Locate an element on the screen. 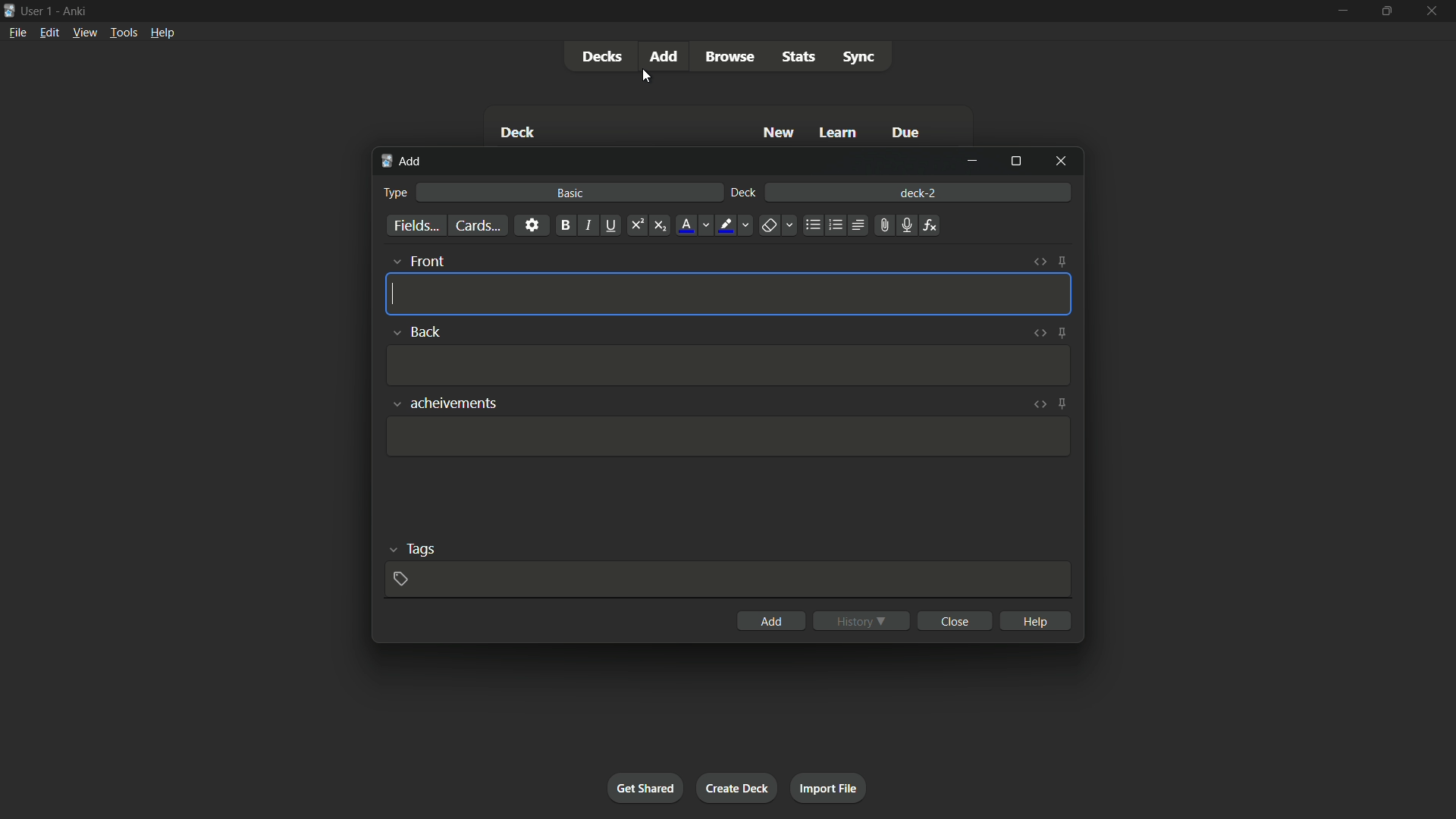 Image resolution: width=1456 pixels, height=819 pixels. bold is located at coordinates (565, 226).